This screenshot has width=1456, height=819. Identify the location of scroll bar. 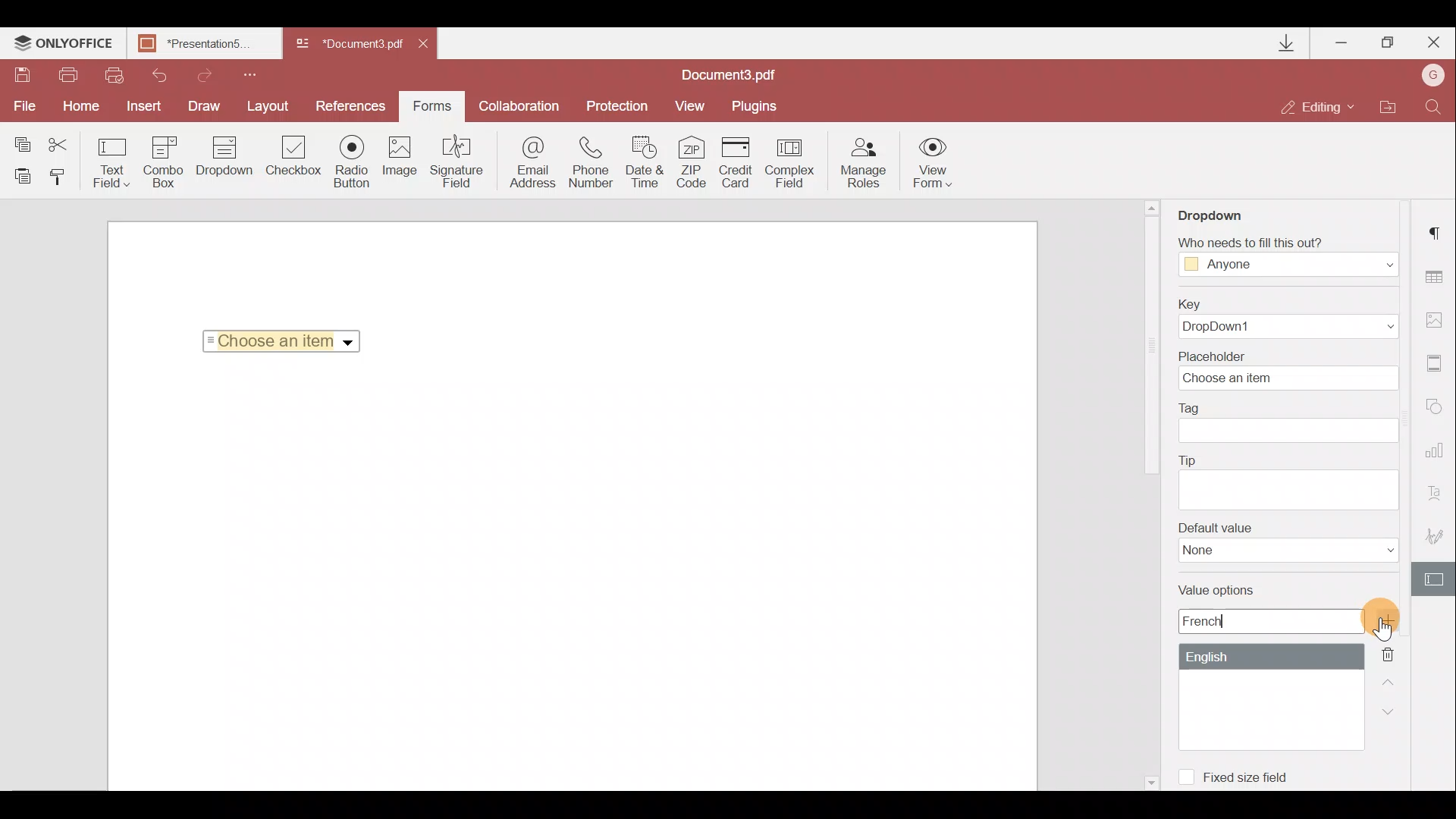
(1150, 348).